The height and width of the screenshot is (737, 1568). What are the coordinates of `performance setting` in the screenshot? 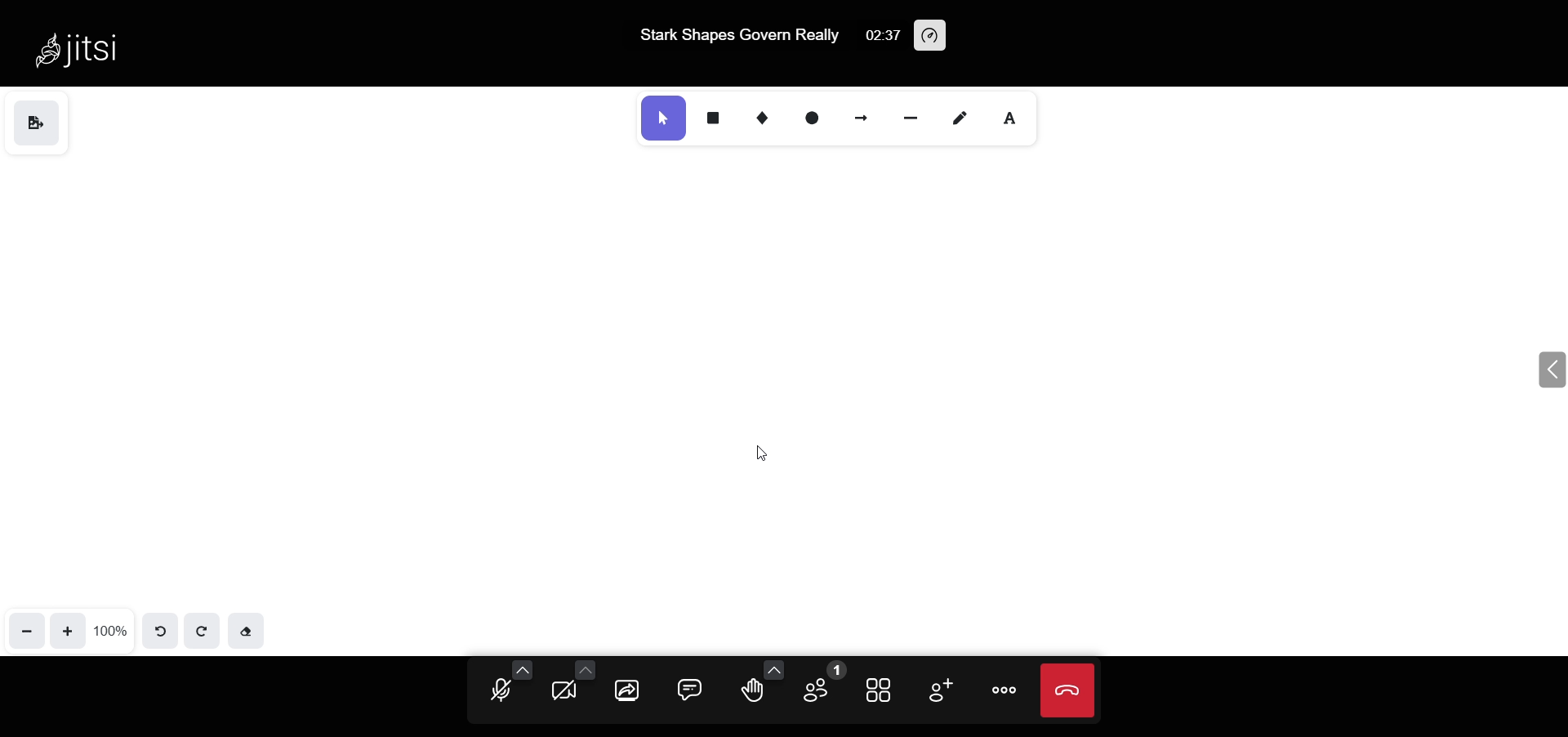 It's located at (933, 37).